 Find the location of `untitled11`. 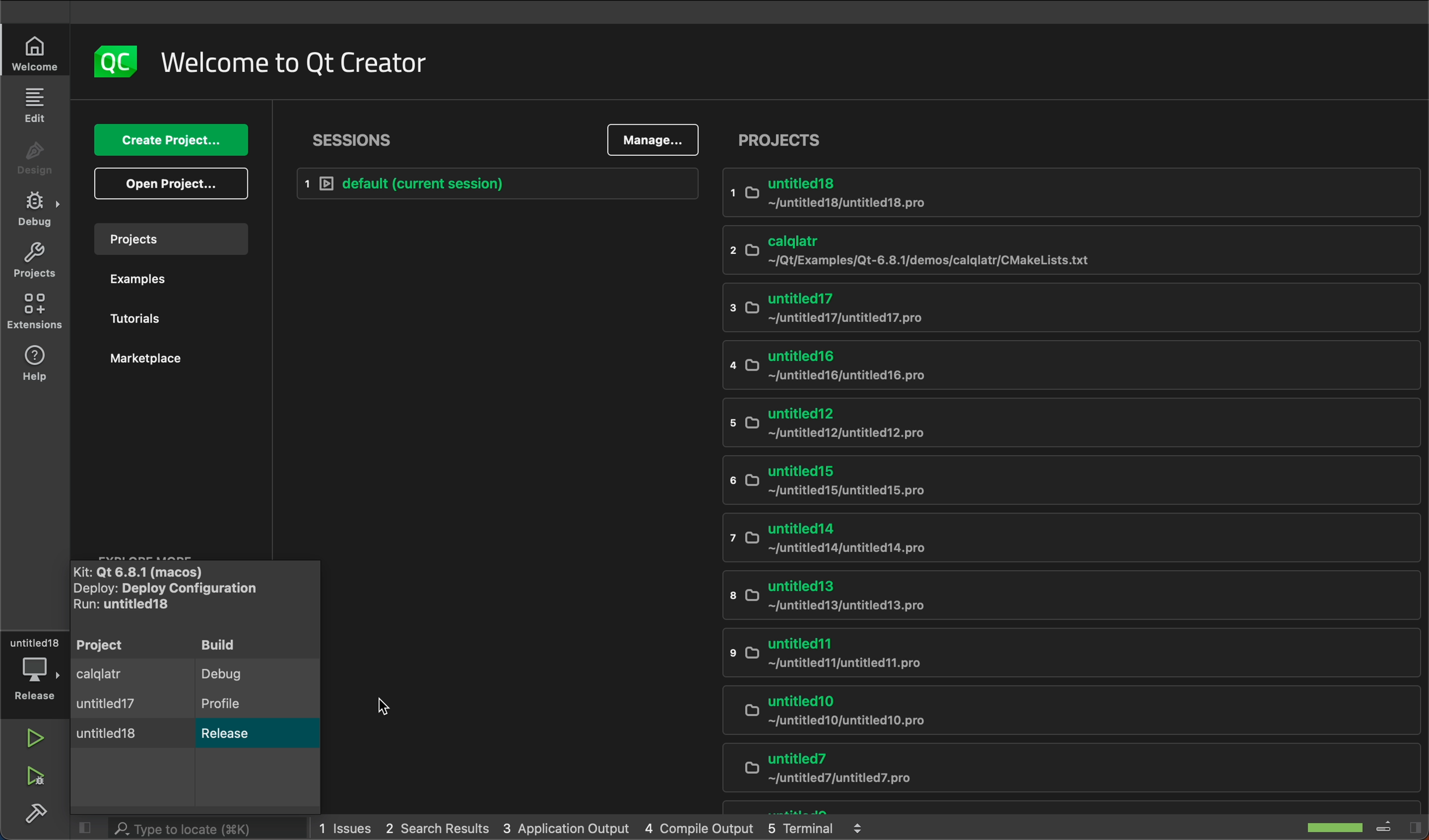

untitled11 is located at coordinates (1034, 655).